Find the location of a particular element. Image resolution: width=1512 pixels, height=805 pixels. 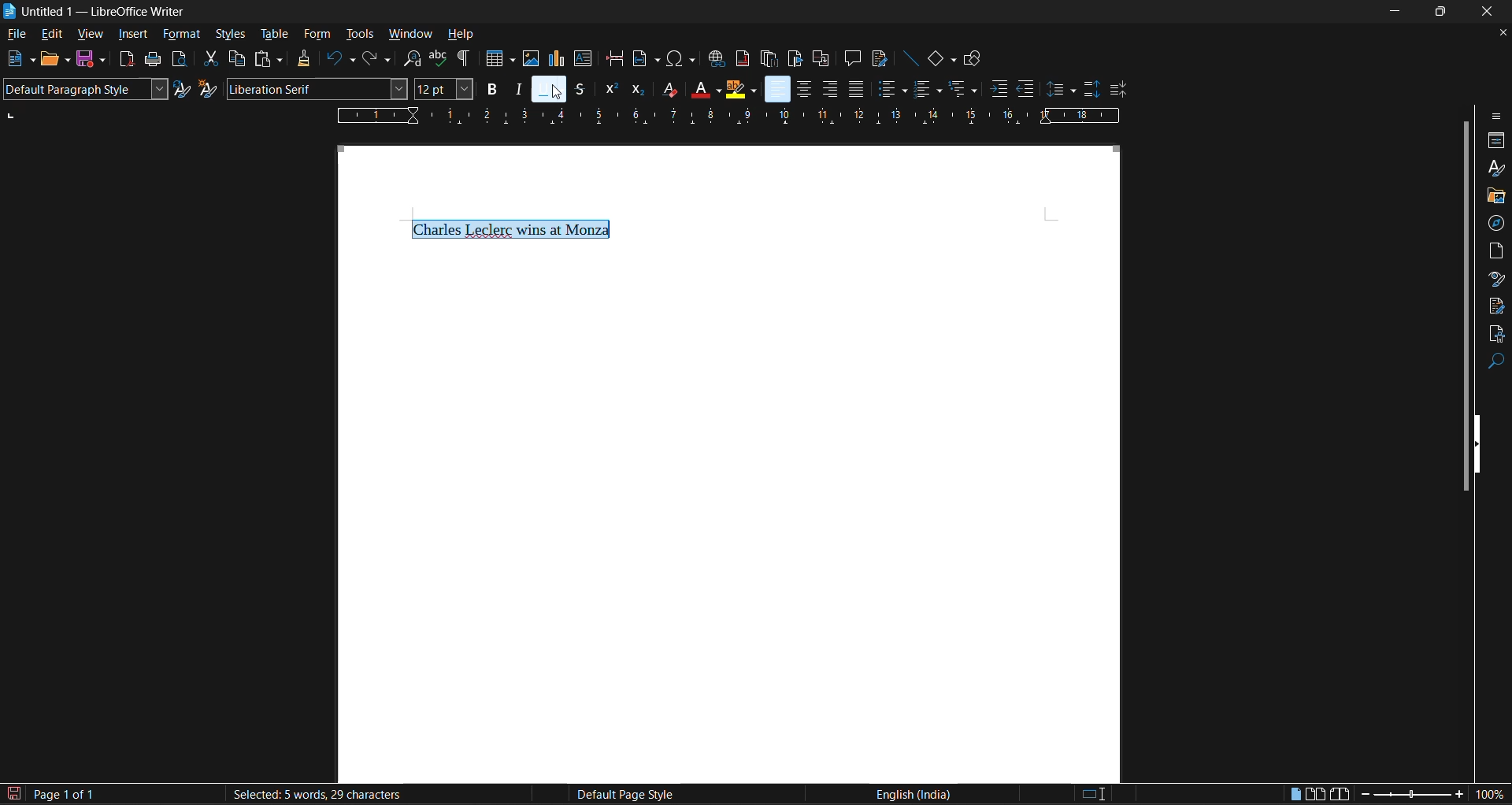

justified is located at coordinates (858, 88).